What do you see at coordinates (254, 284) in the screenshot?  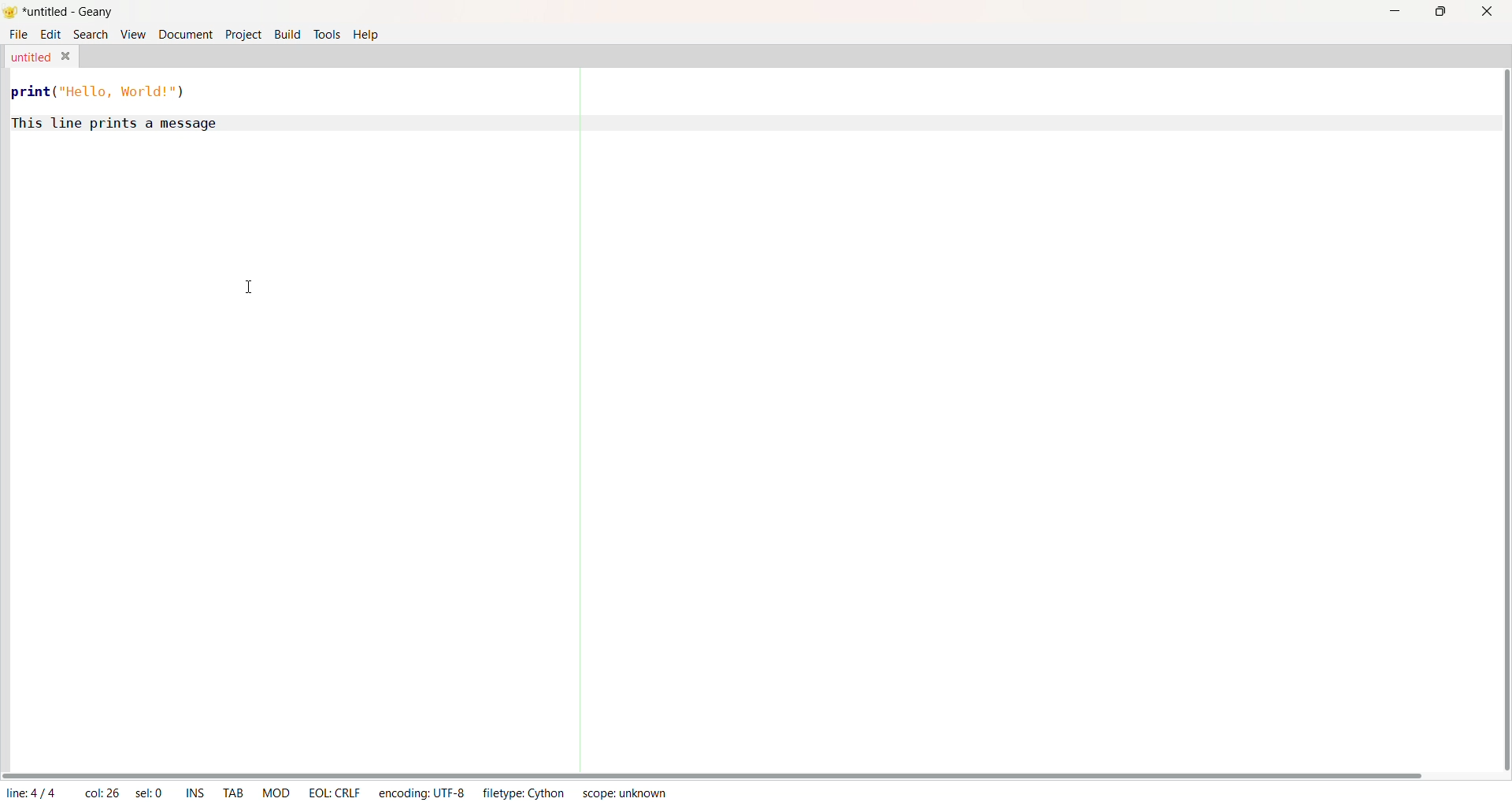 I see `Text Cursor` at bounding box center [254, 284].